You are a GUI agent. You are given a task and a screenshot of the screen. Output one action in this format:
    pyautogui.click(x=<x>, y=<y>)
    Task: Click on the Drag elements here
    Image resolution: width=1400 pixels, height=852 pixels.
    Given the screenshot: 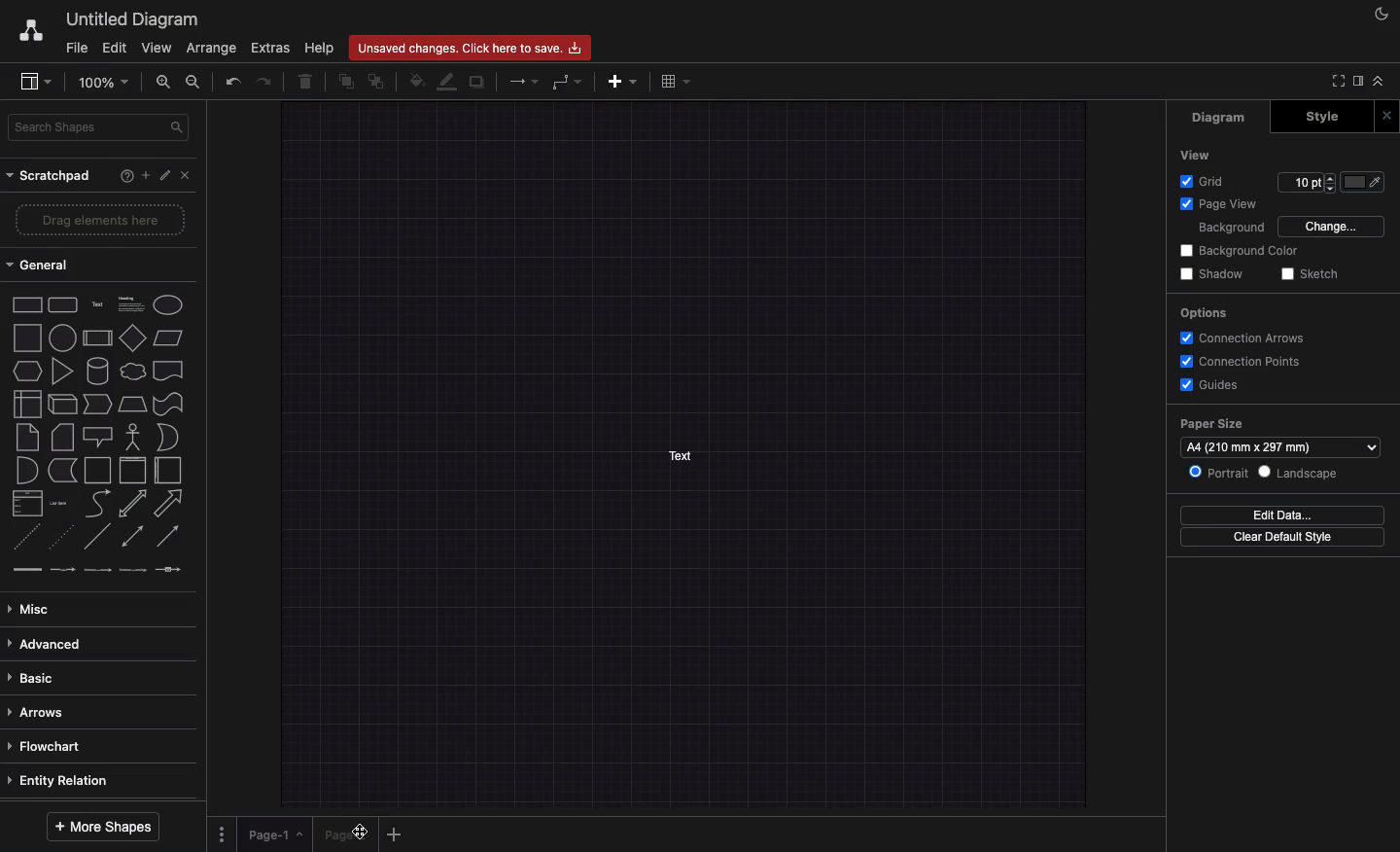 What is the action you would take?
    pyautogui.click(x=100, y=217)
    